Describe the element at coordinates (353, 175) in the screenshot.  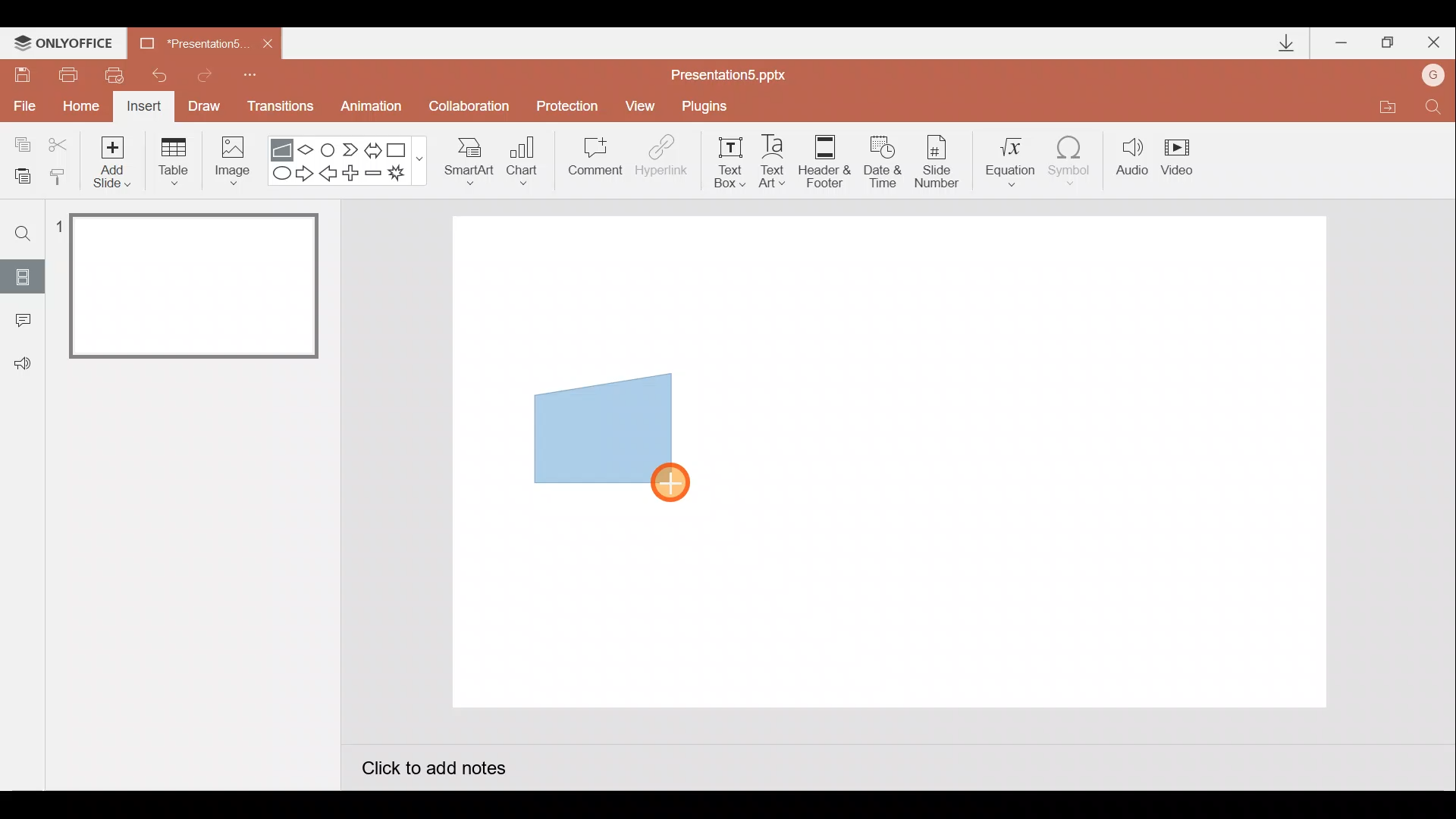
I see `Plus` at that location.